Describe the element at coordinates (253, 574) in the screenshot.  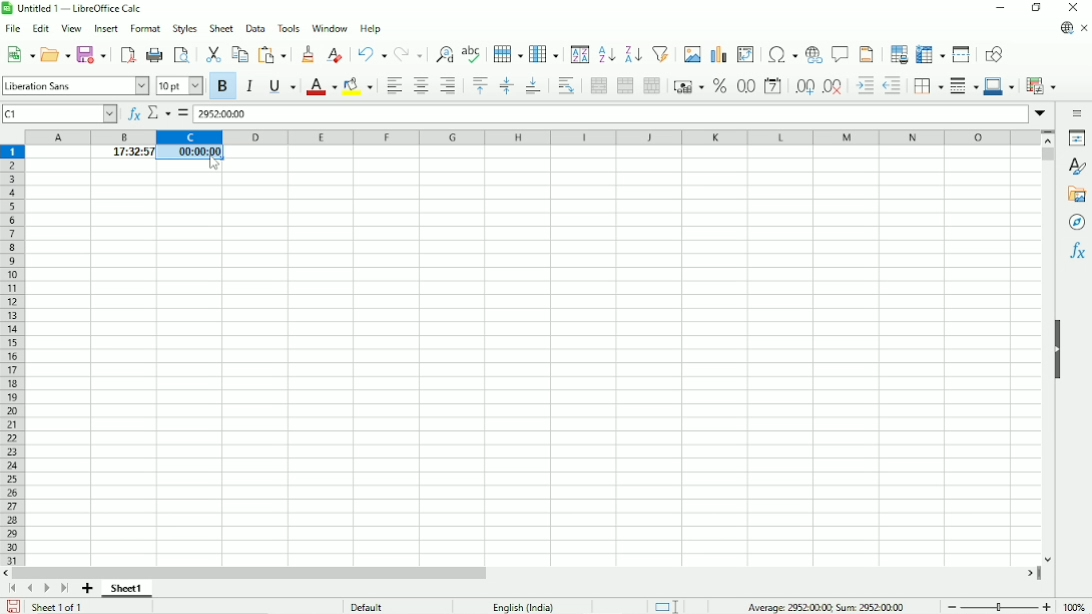
I see `Horizontal scrollbar` at that location.